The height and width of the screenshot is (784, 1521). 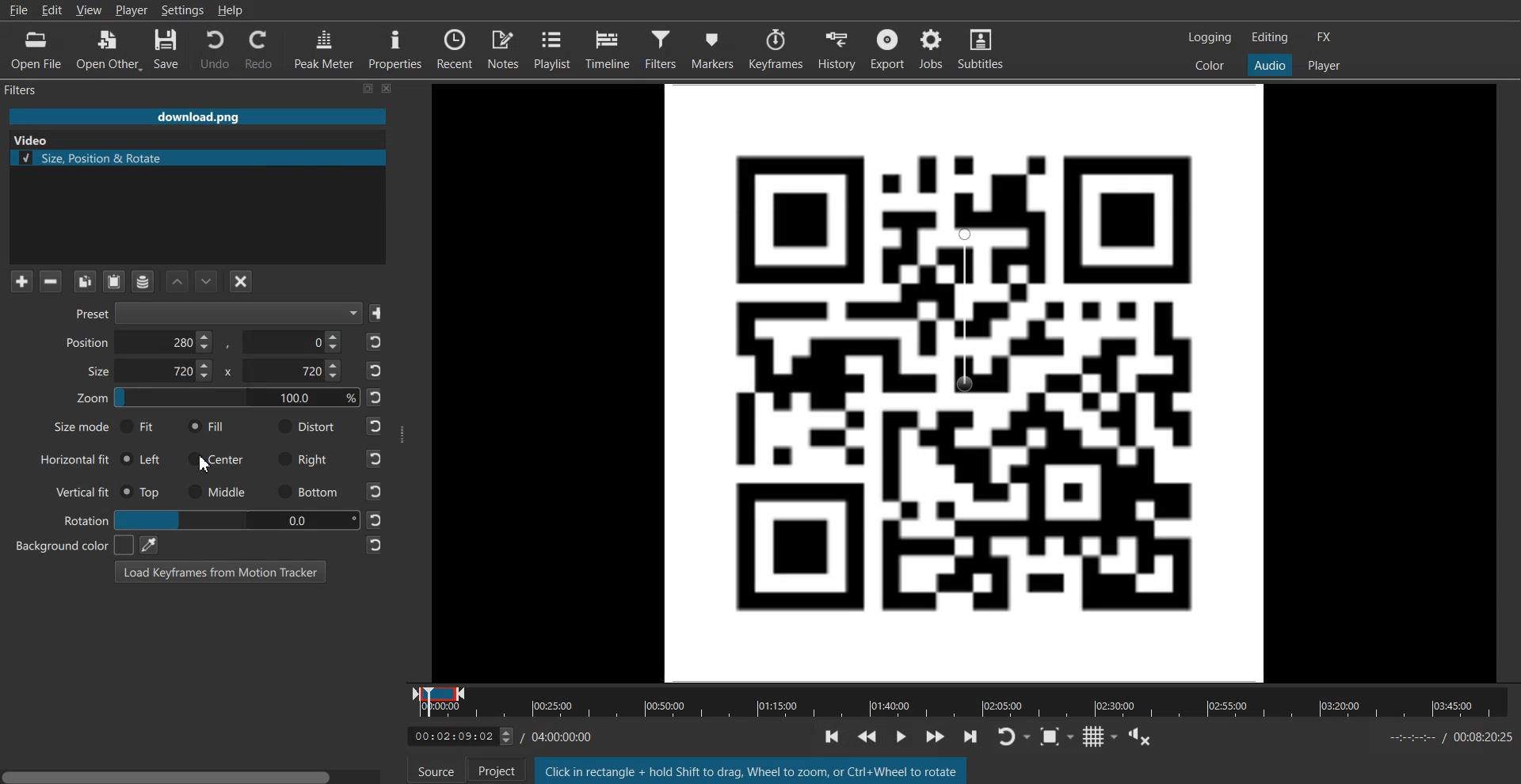 I want to click on Size mode, so click(x=71, y=429).